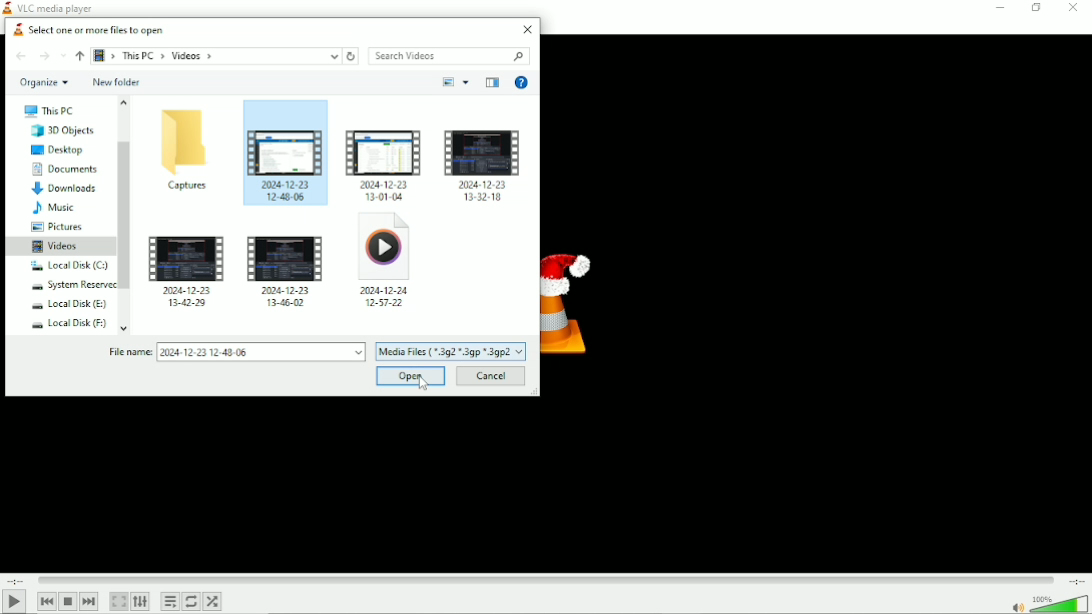 The width and height of the screenshot is (1092, 614). Describe the element at coordinates (48, 111) in the screenshot. I see `This PC` at that location.